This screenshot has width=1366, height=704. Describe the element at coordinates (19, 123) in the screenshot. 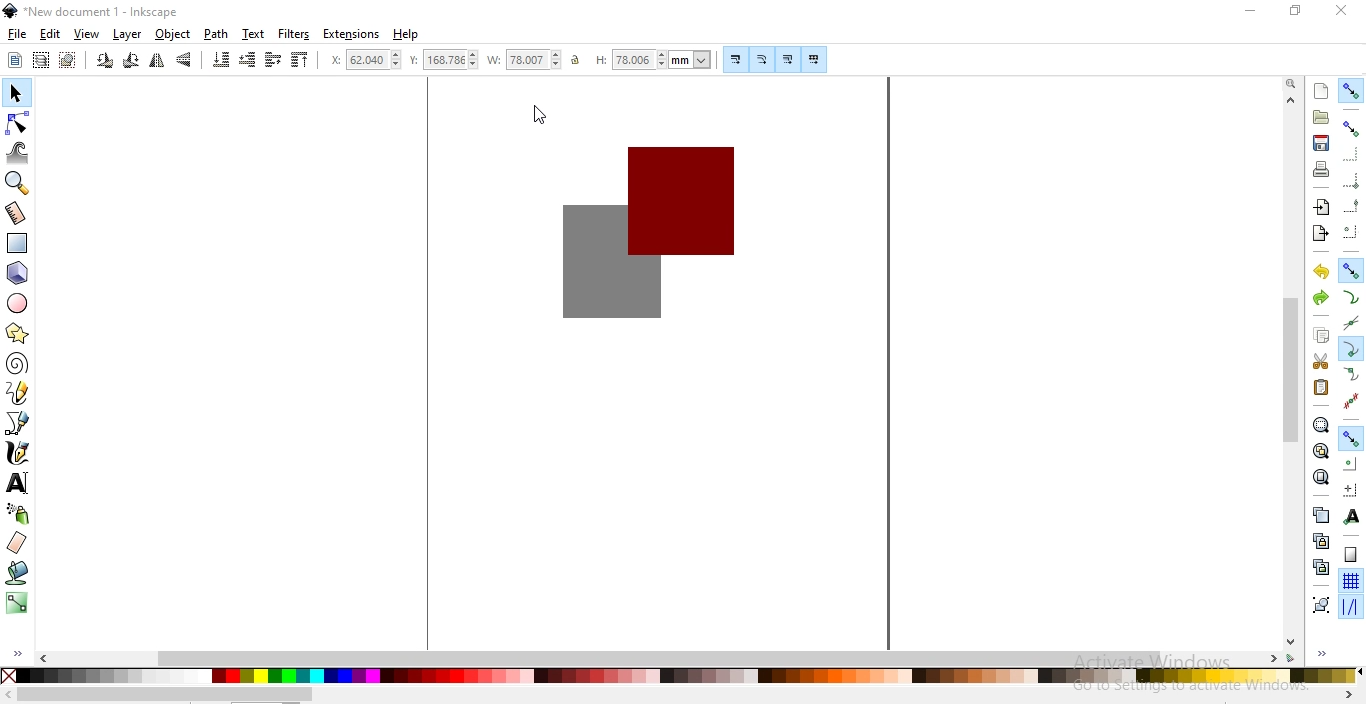

I see `edit paths by nodes` at that location.